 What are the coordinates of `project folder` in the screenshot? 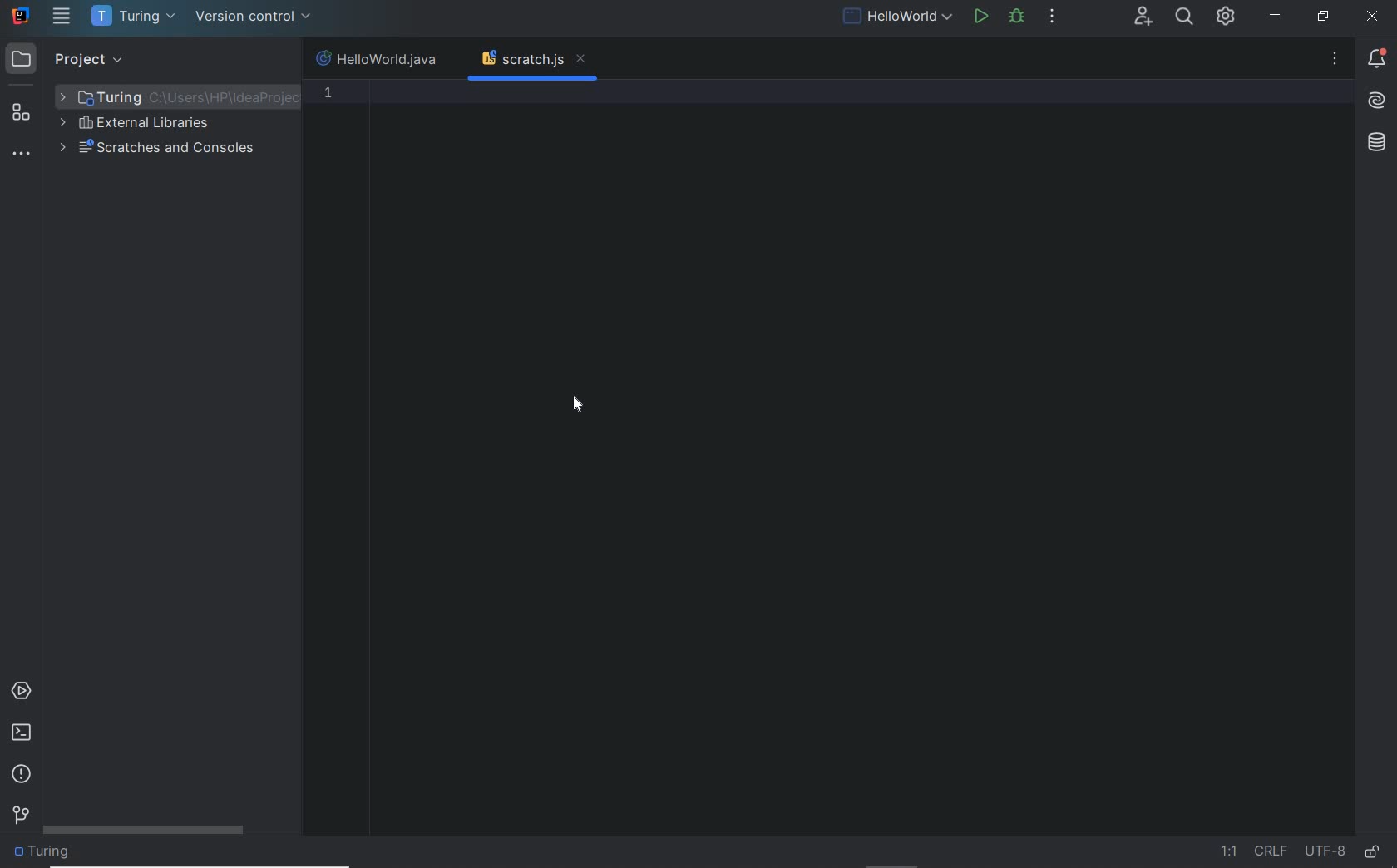 It's located at (178, 96).